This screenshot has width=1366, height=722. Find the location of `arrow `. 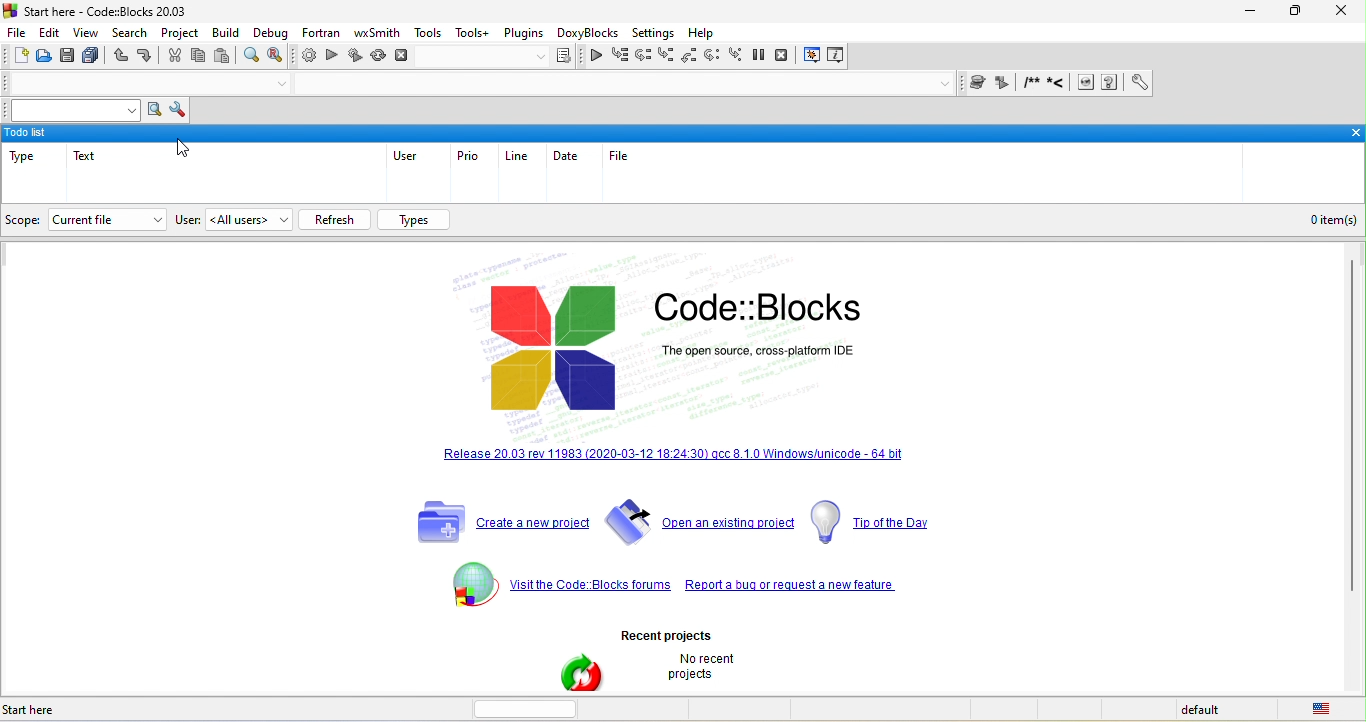

arrow  is located at coordinates (153, 219).